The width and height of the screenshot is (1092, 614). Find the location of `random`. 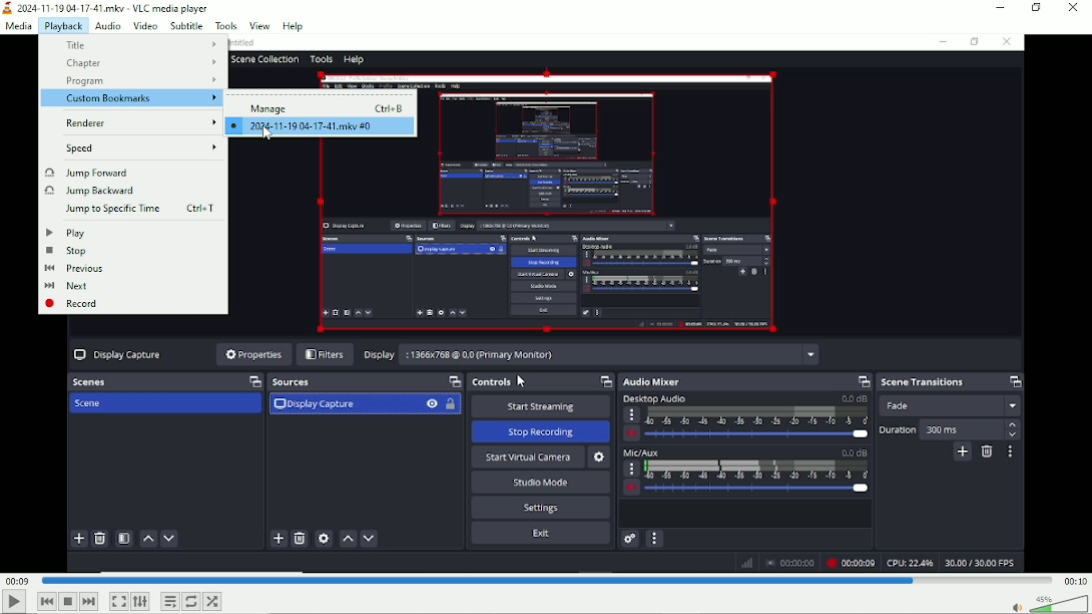

random is located at coordinates (212, 602).